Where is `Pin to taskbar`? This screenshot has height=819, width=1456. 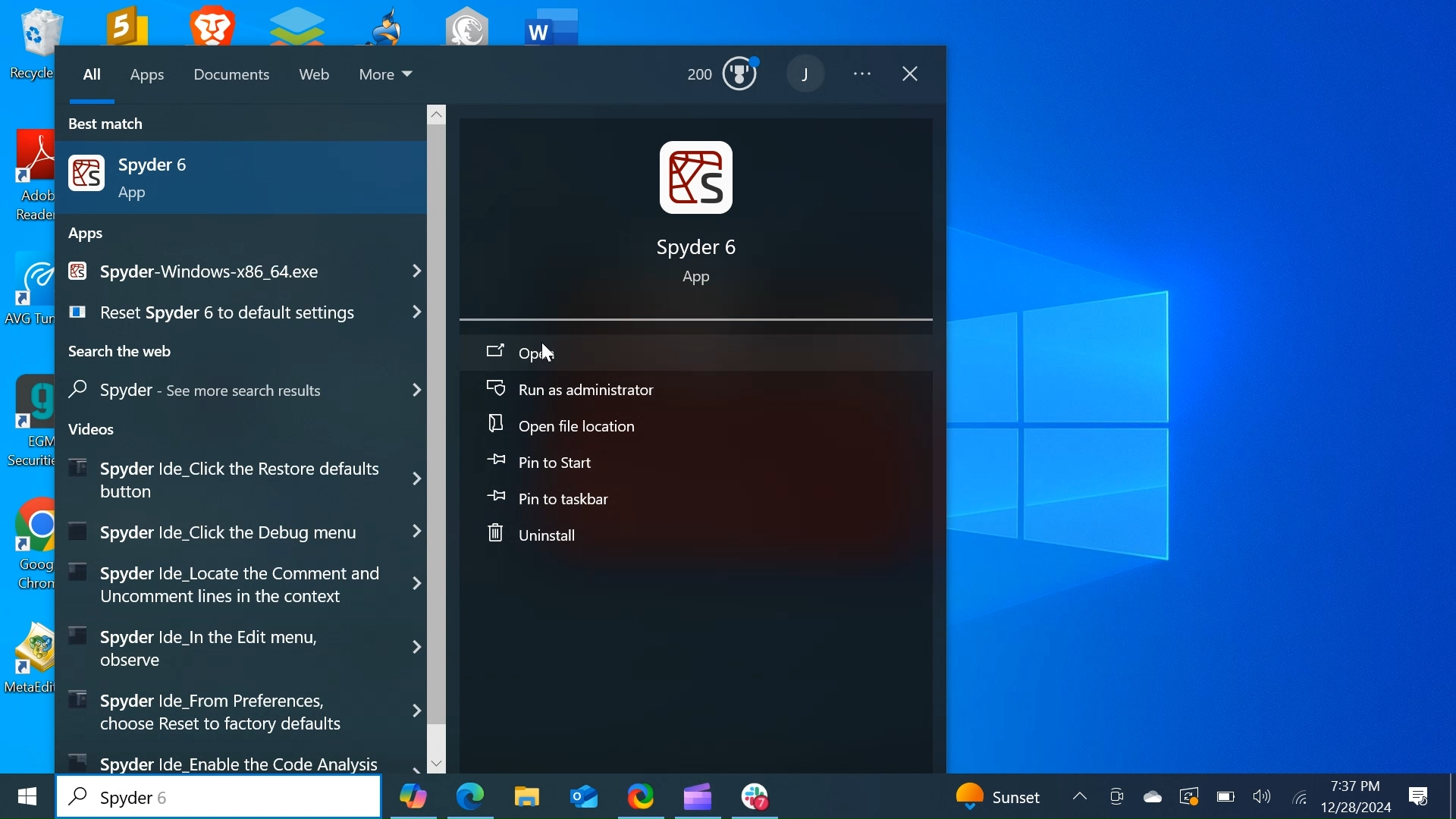
Pin to taskbar is located at coordinates (698, 498).